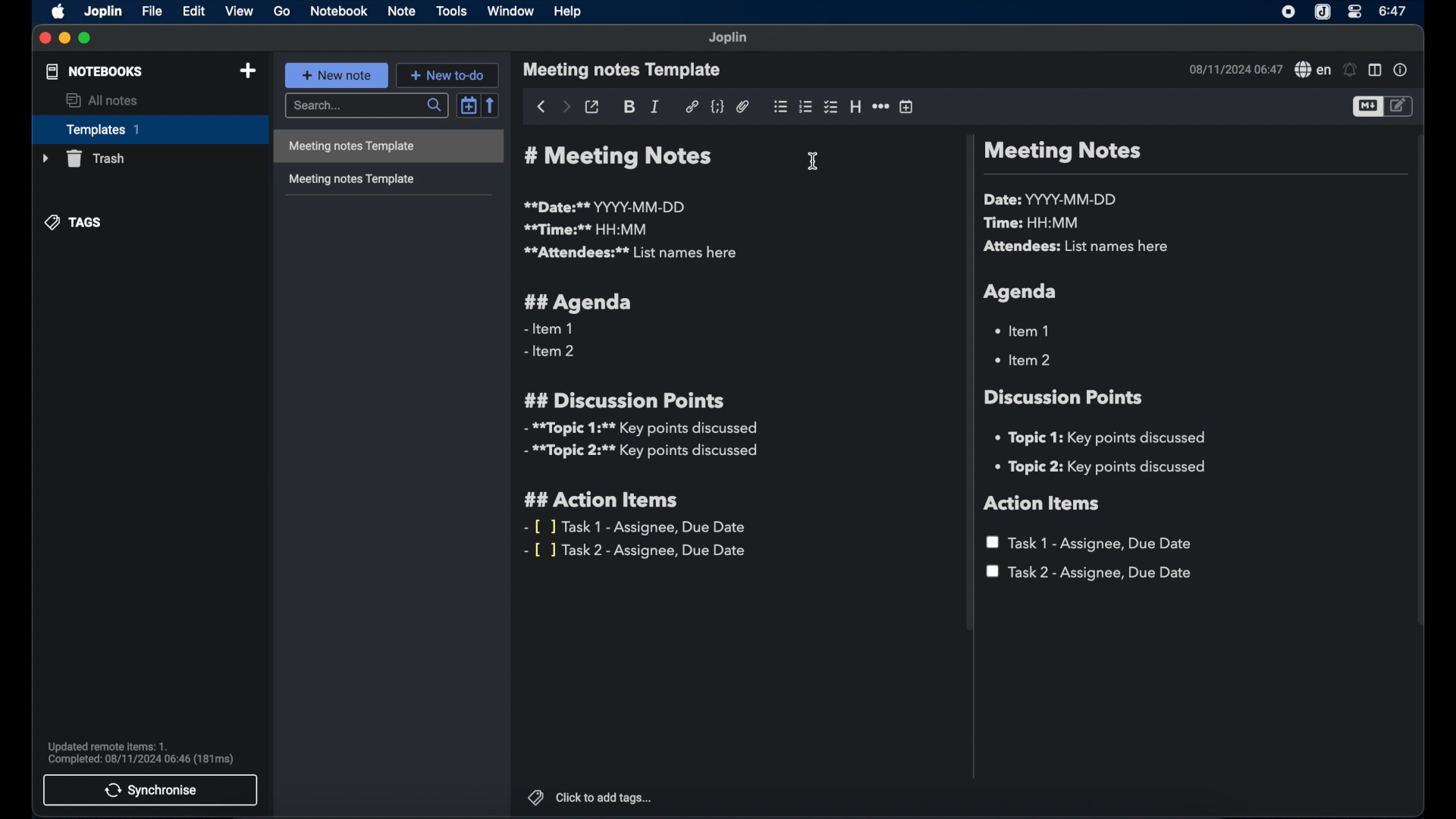 This screenshot has width=1456, height=819. I want to click on insert time, so click(906, 107).